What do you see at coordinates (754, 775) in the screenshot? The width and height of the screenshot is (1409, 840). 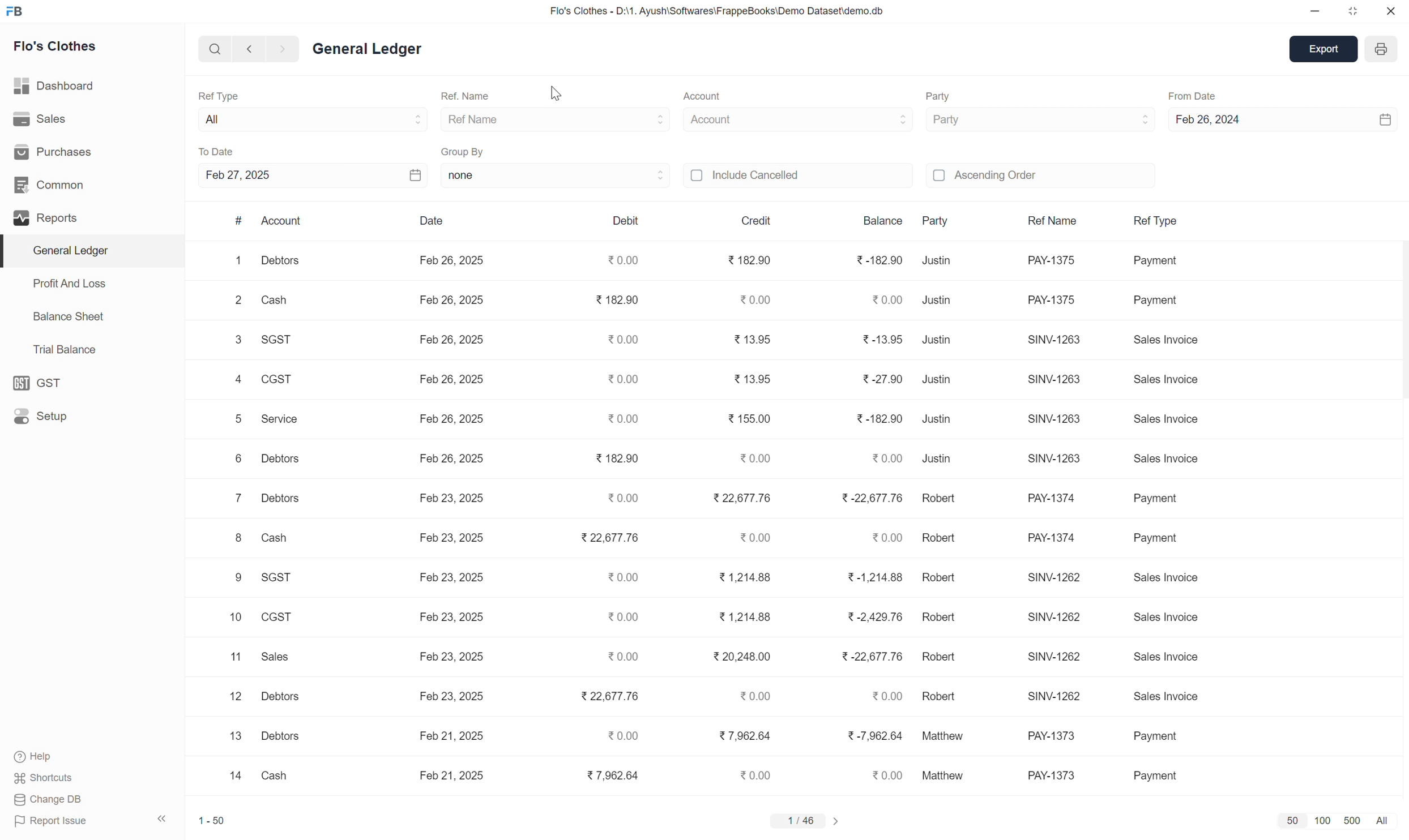 I see `0.00` at bounding box center [754, 775].